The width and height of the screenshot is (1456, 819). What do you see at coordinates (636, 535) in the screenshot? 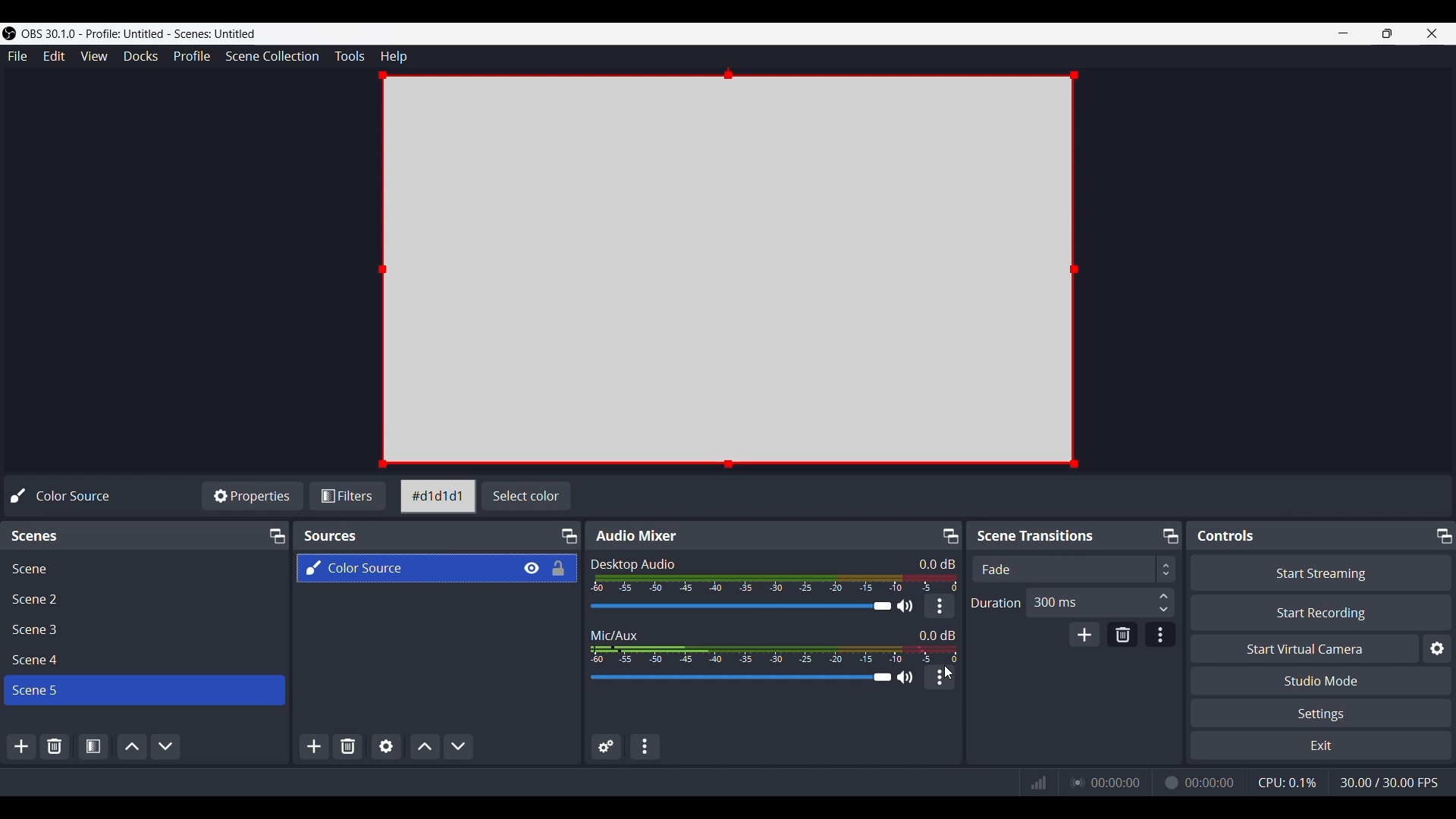
I see `Text` at bounding box center [636, 535].